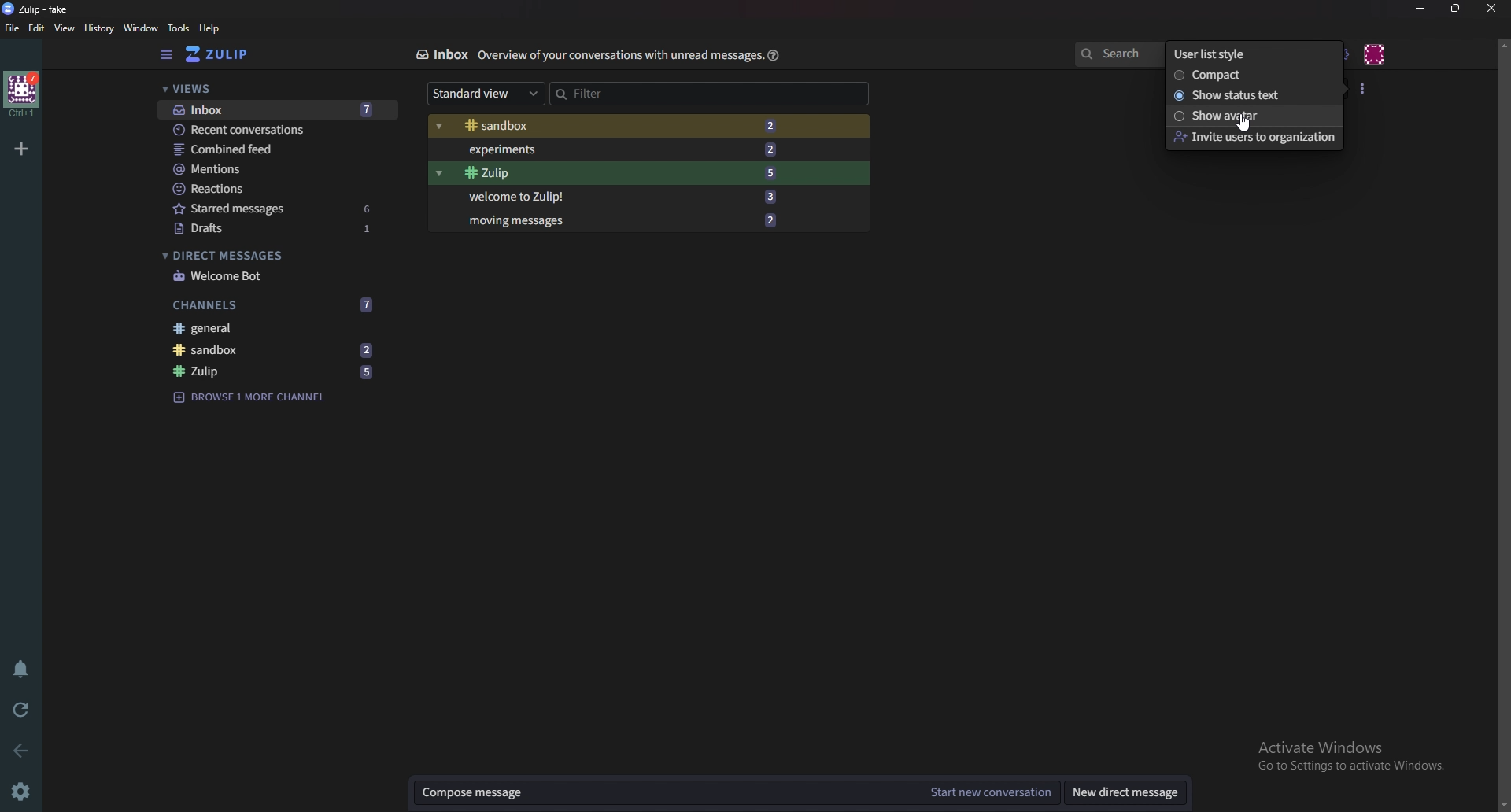  What do you see at coordinates (1499, 424) in the screenshot?
I see `scroll bar` at bounding box center [1499, 424].